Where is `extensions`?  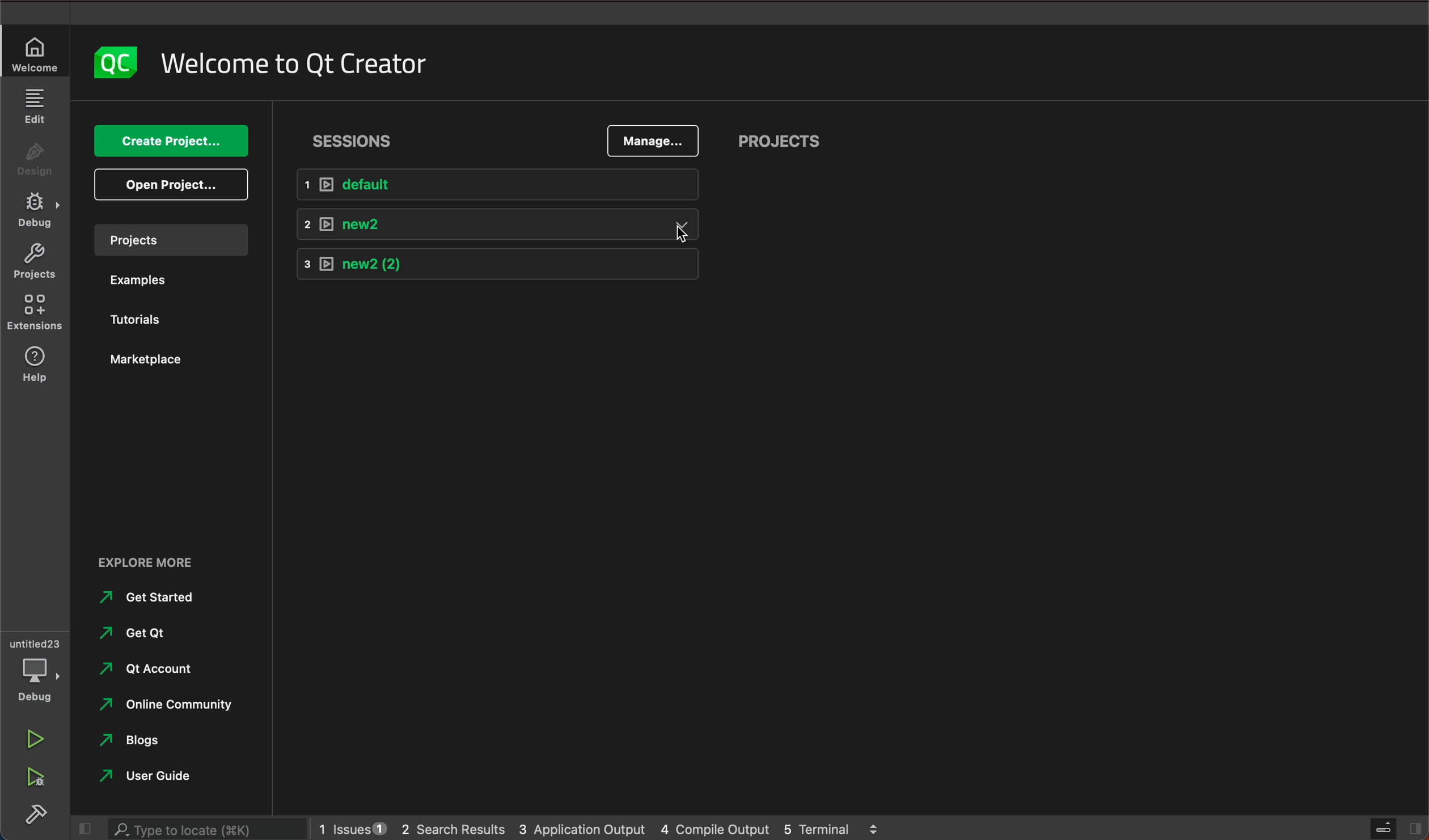 extensions is located at coordinates (35, 313).